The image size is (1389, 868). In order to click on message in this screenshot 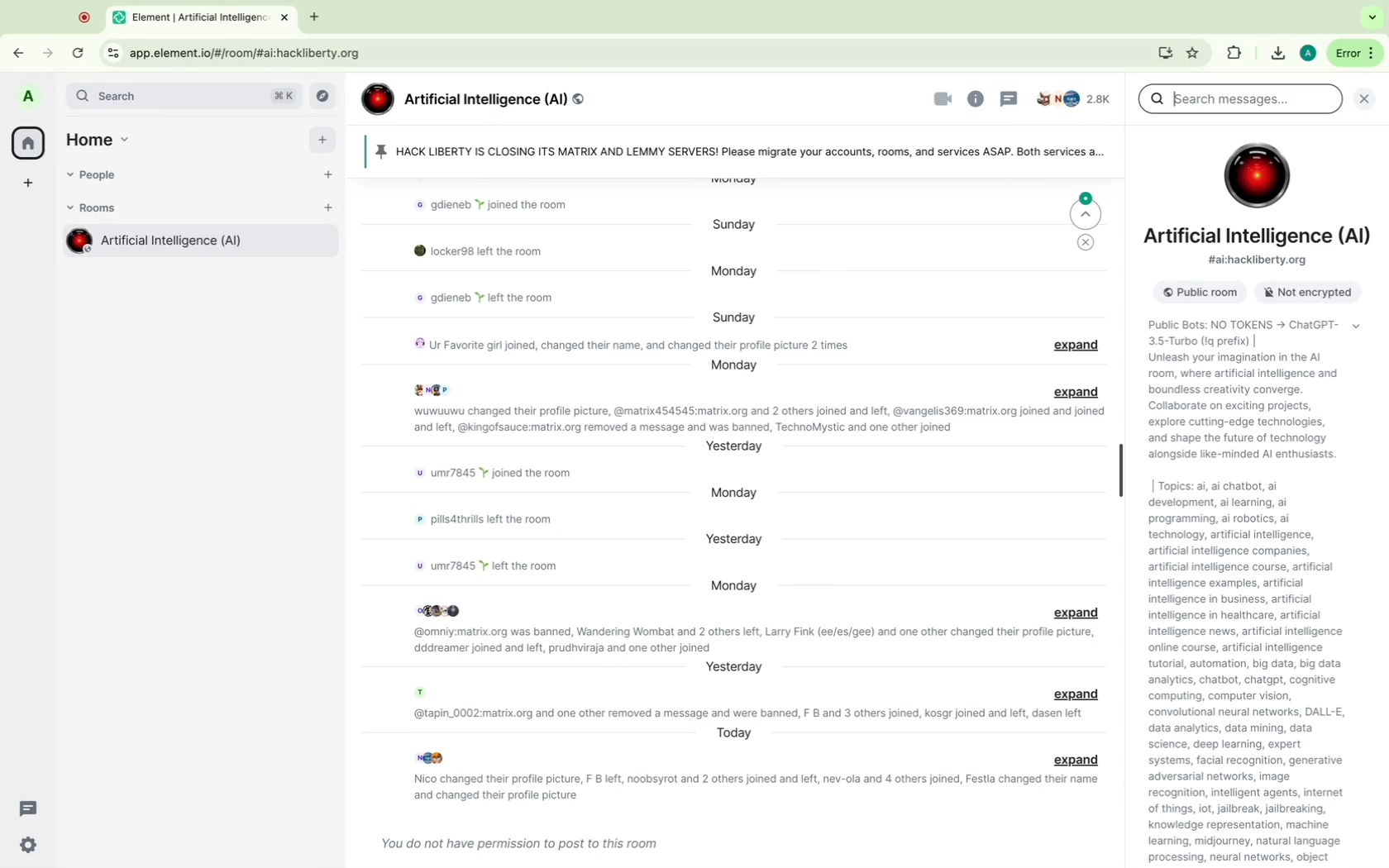, I will do `click(498, 203)`.